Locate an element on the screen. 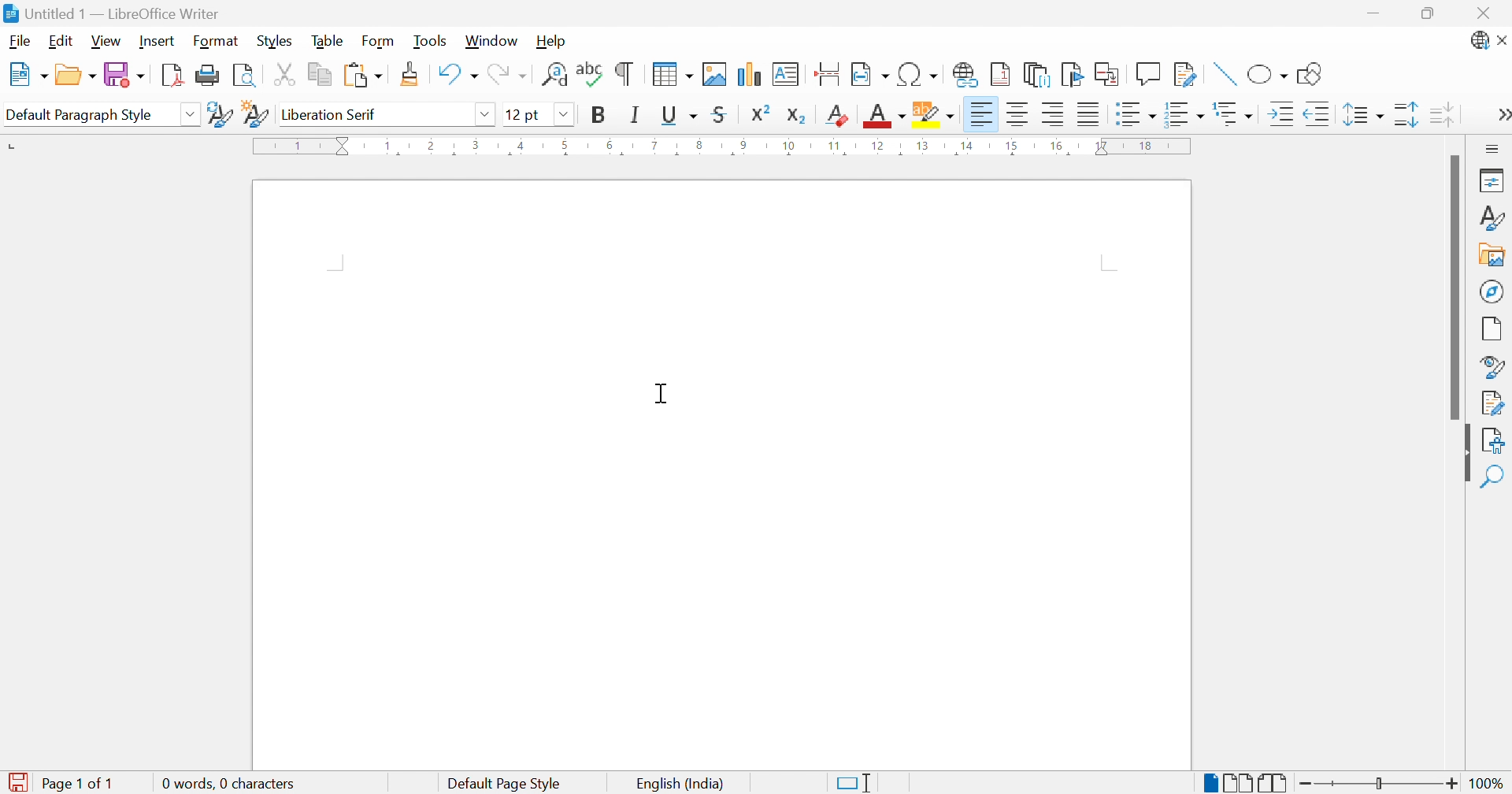  Basic shapes is located at coordinates (1267, 77).